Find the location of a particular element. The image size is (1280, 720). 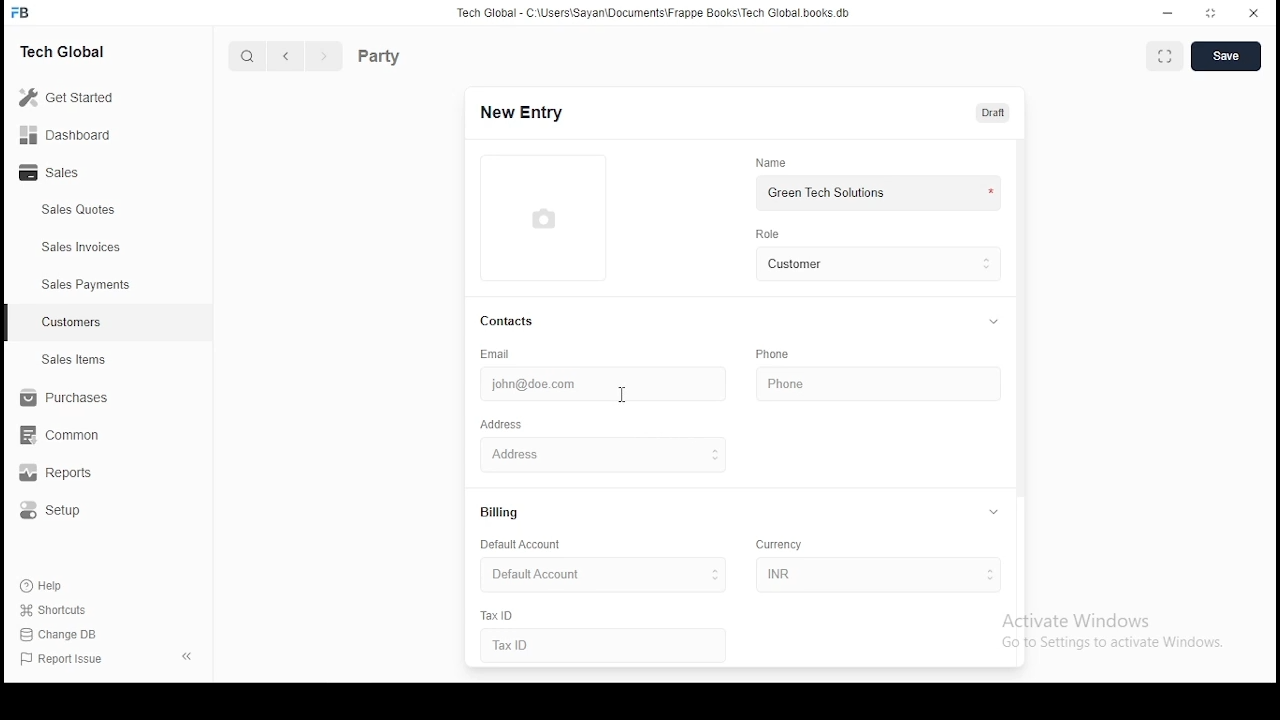

draft is located at coordinates (994, 113).